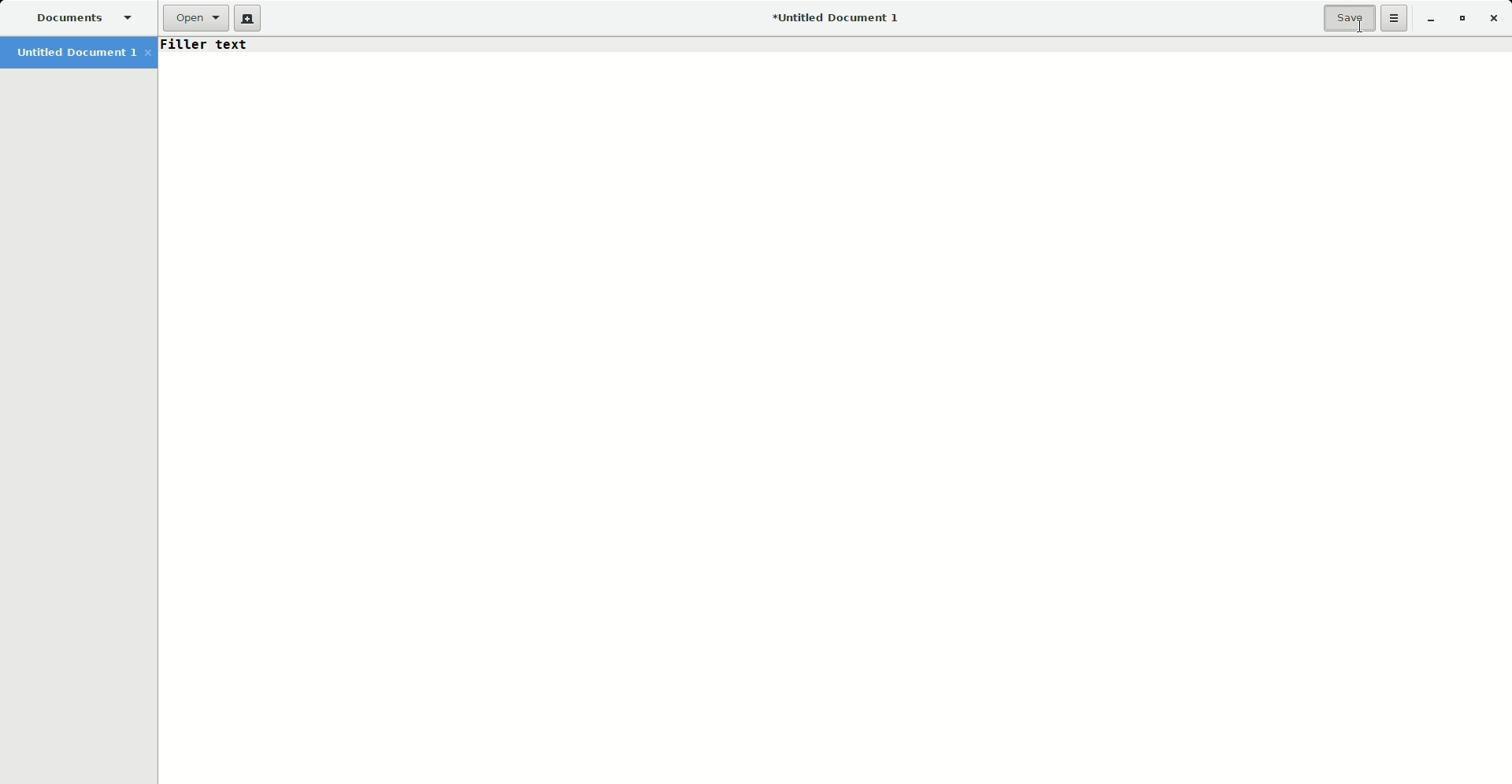 This screenshot has height=784, width=1512. I want to click on New, so click(249, 20).